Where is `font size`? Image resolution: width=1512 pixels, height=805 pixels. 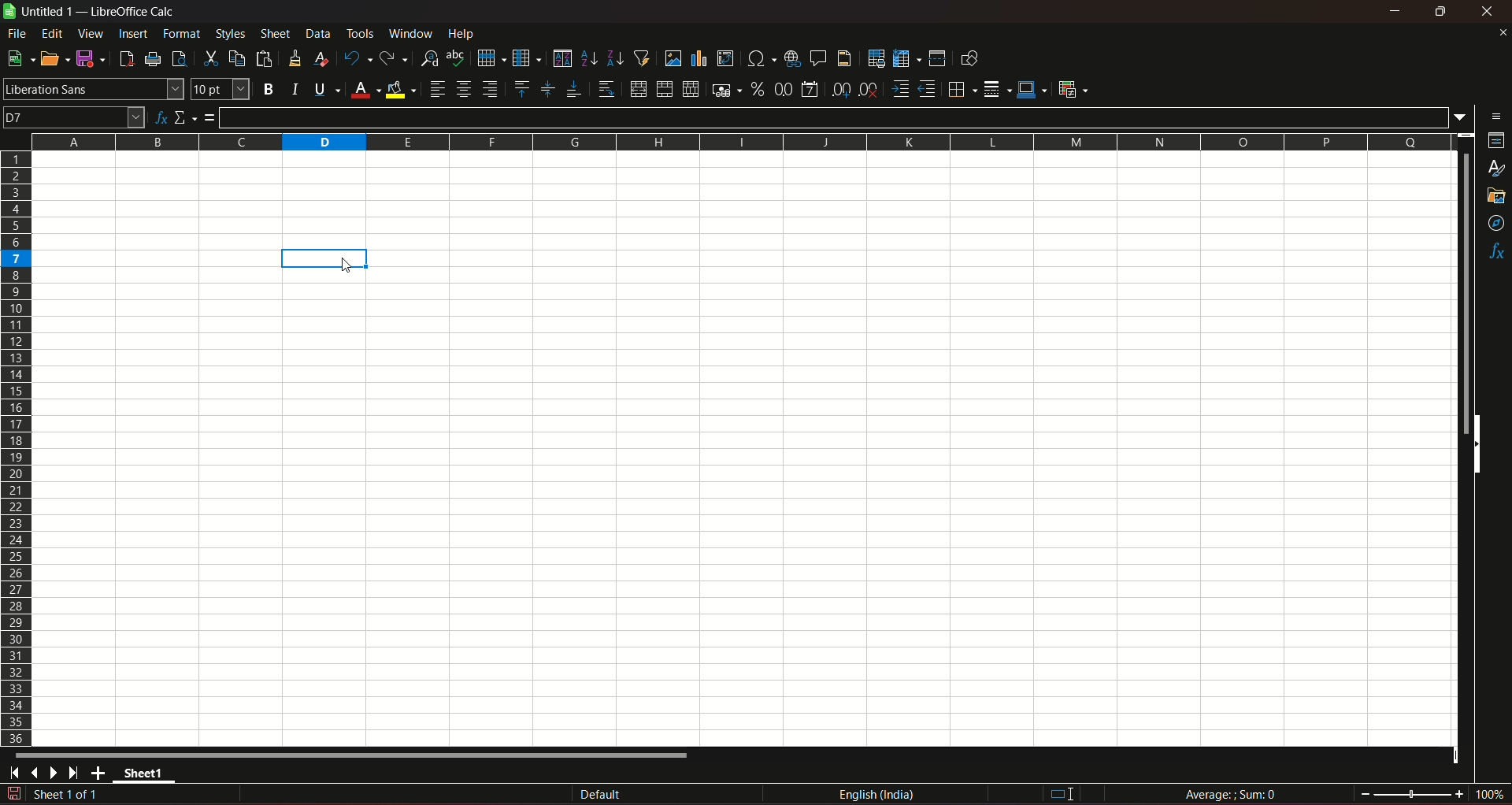
font size is located at coordinates (218, 90).